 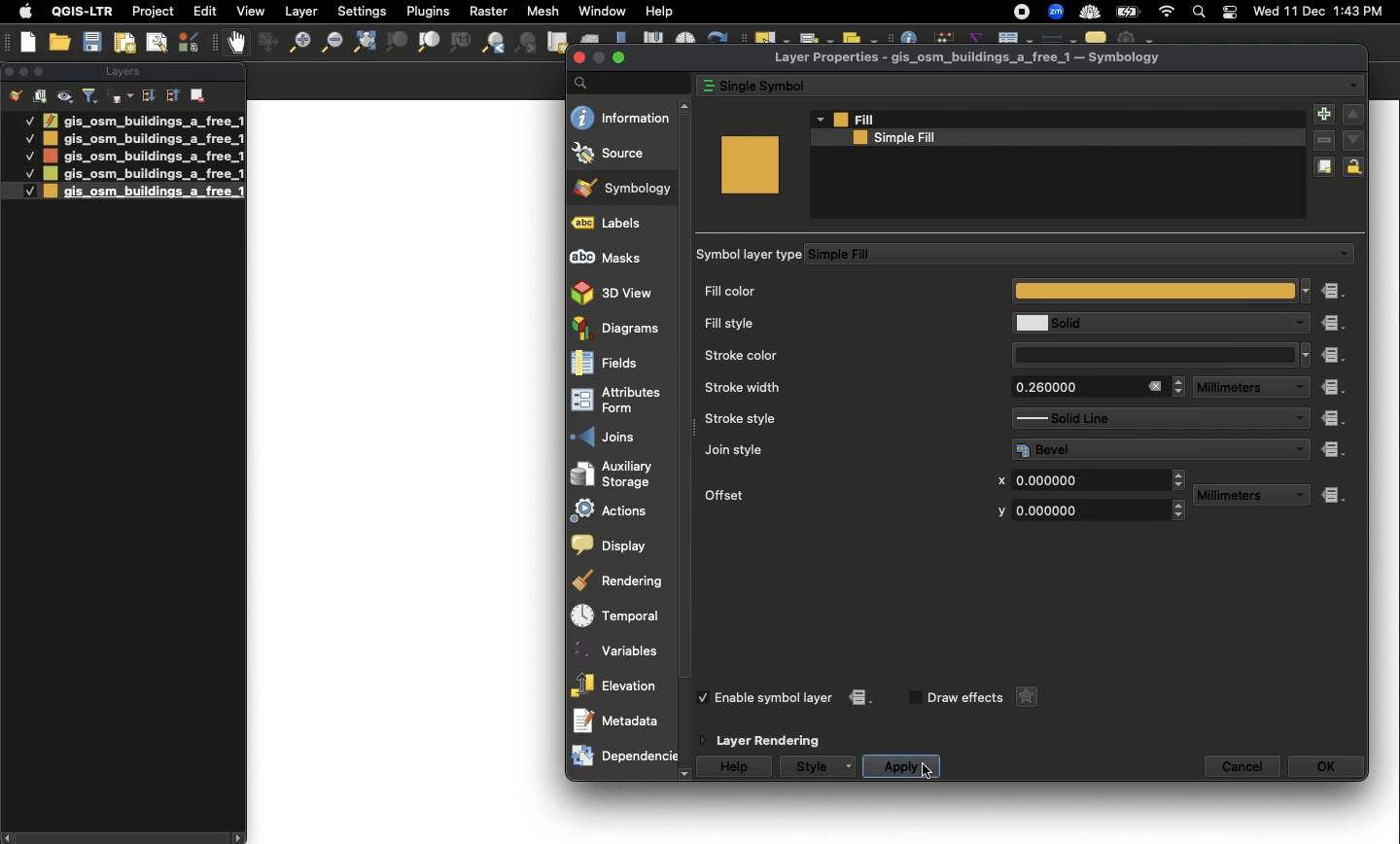 What do you see at coordinates (1353, 115) in the screenshot?
I see `up` at bounding box center [1353, 115].